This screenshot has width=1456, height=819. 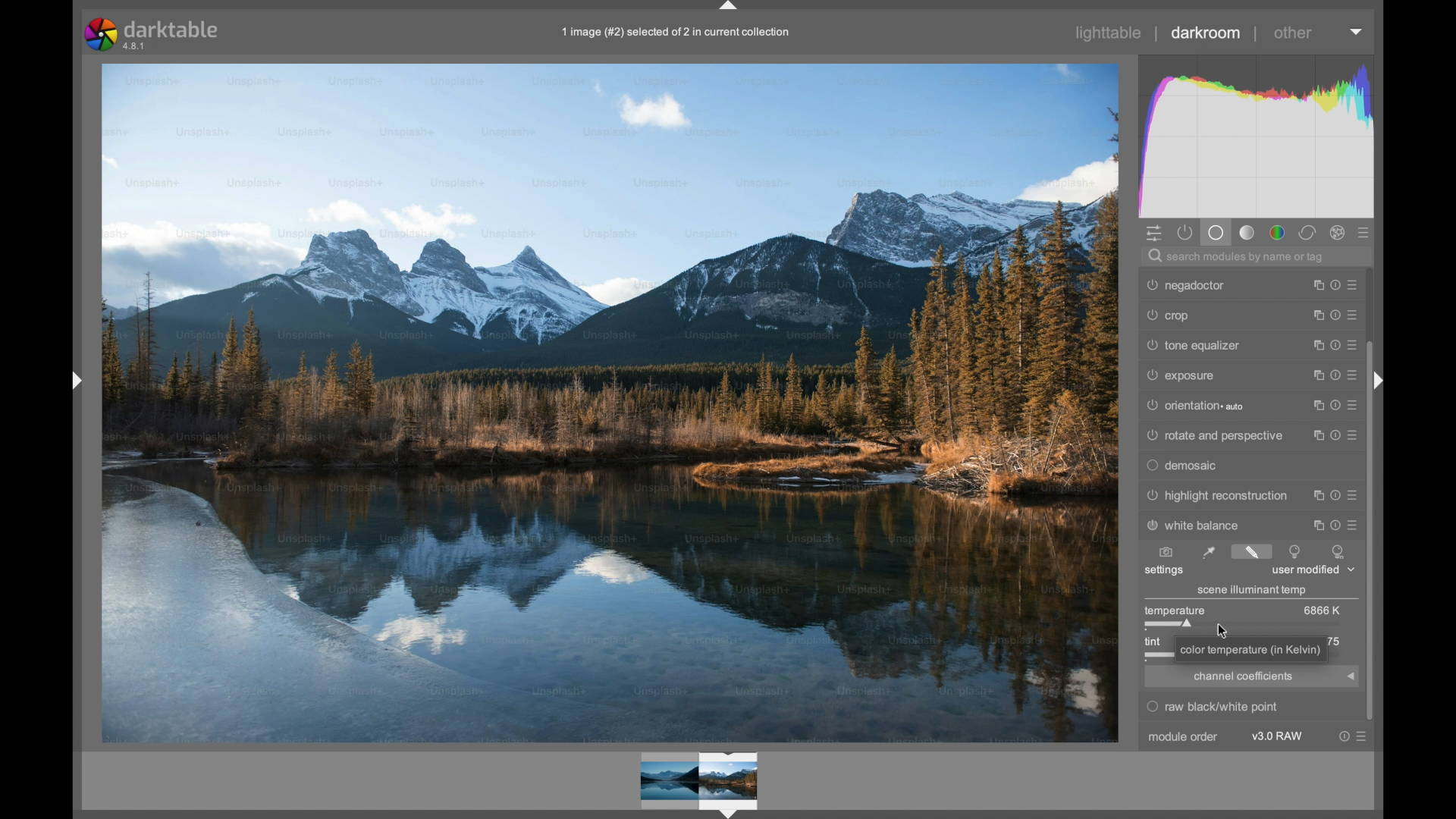 What do you see at coordinates (1295, 33) in the screenshot?
I see `other` at bounding box center [1295, 33].